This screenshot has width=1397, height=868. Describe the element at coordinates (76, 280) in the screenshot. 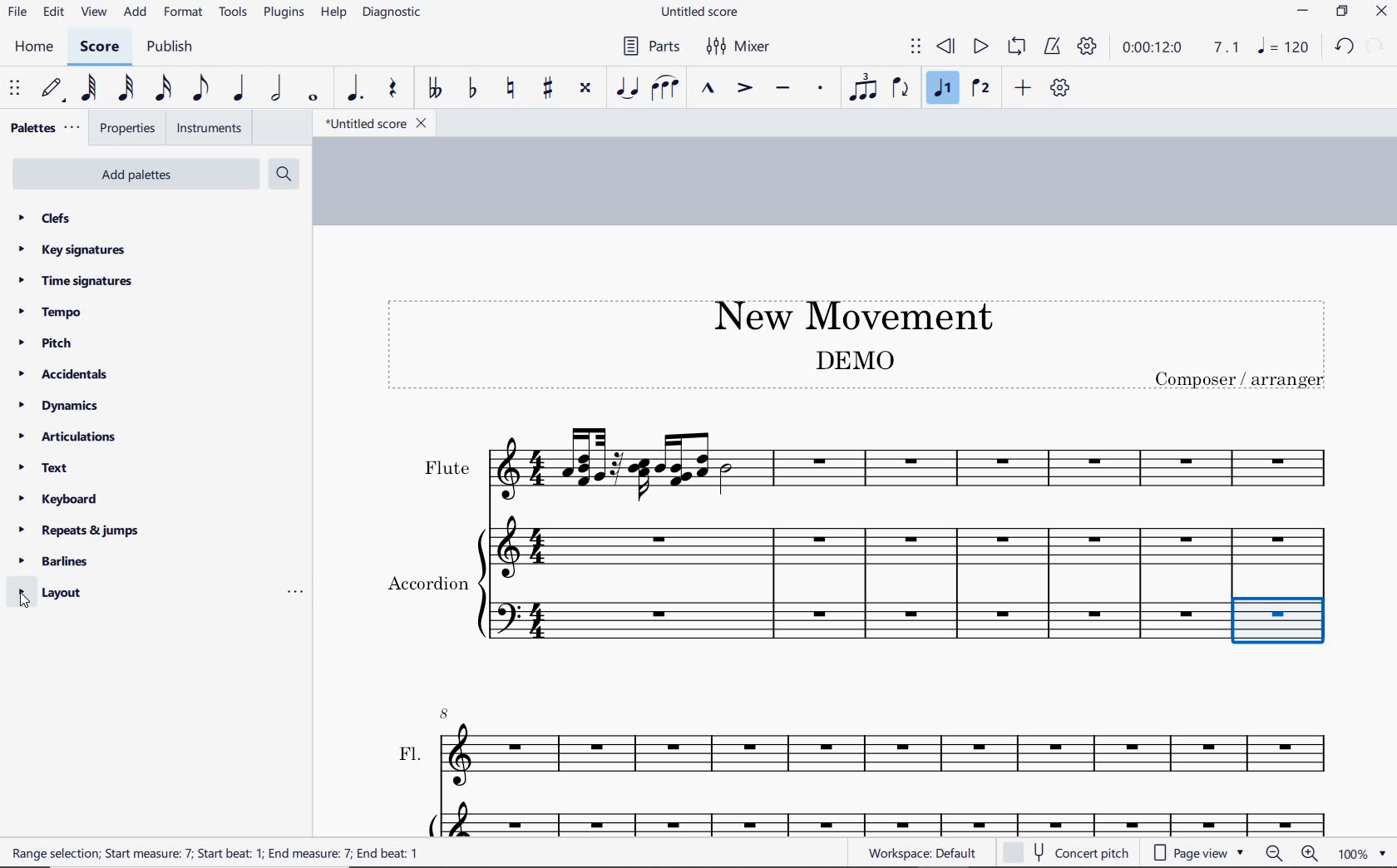

I see `time signatures` at that location.